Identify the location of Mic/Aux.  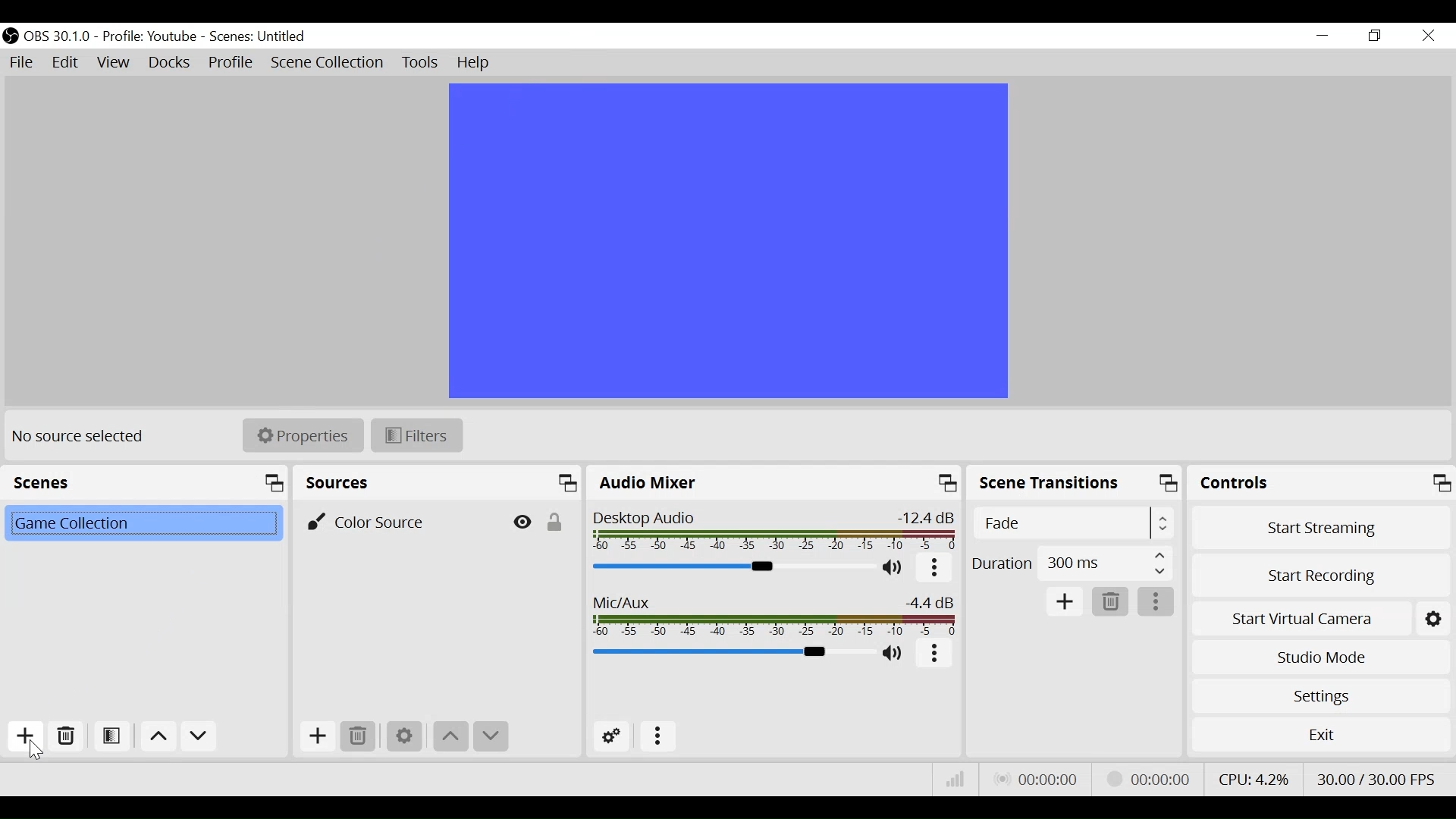
(776, 616).